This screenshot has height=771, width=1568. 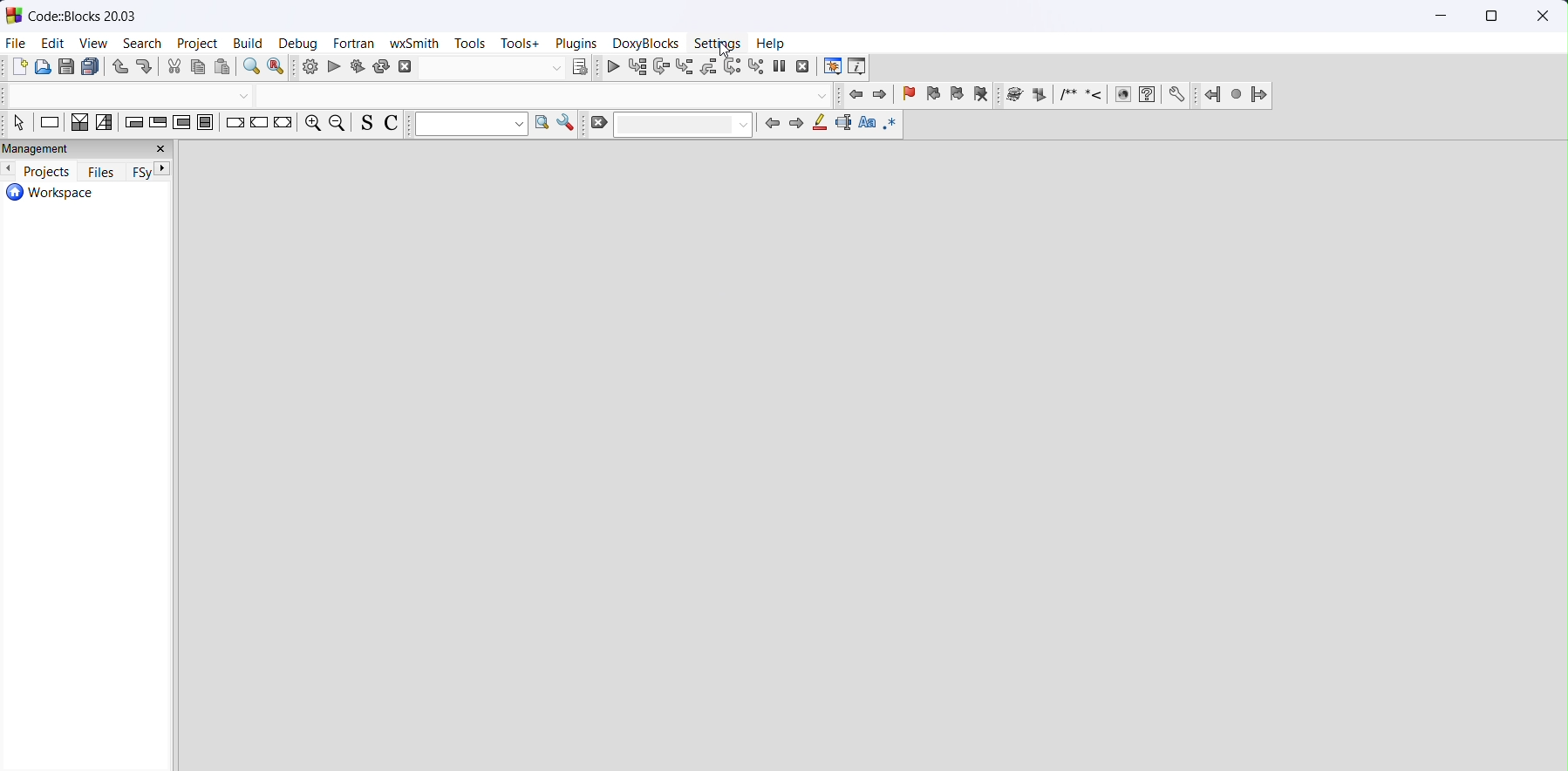 What do you see at coordinates (17, 42) in the screenshot?
I see `file` at bounding box center [17, 42].